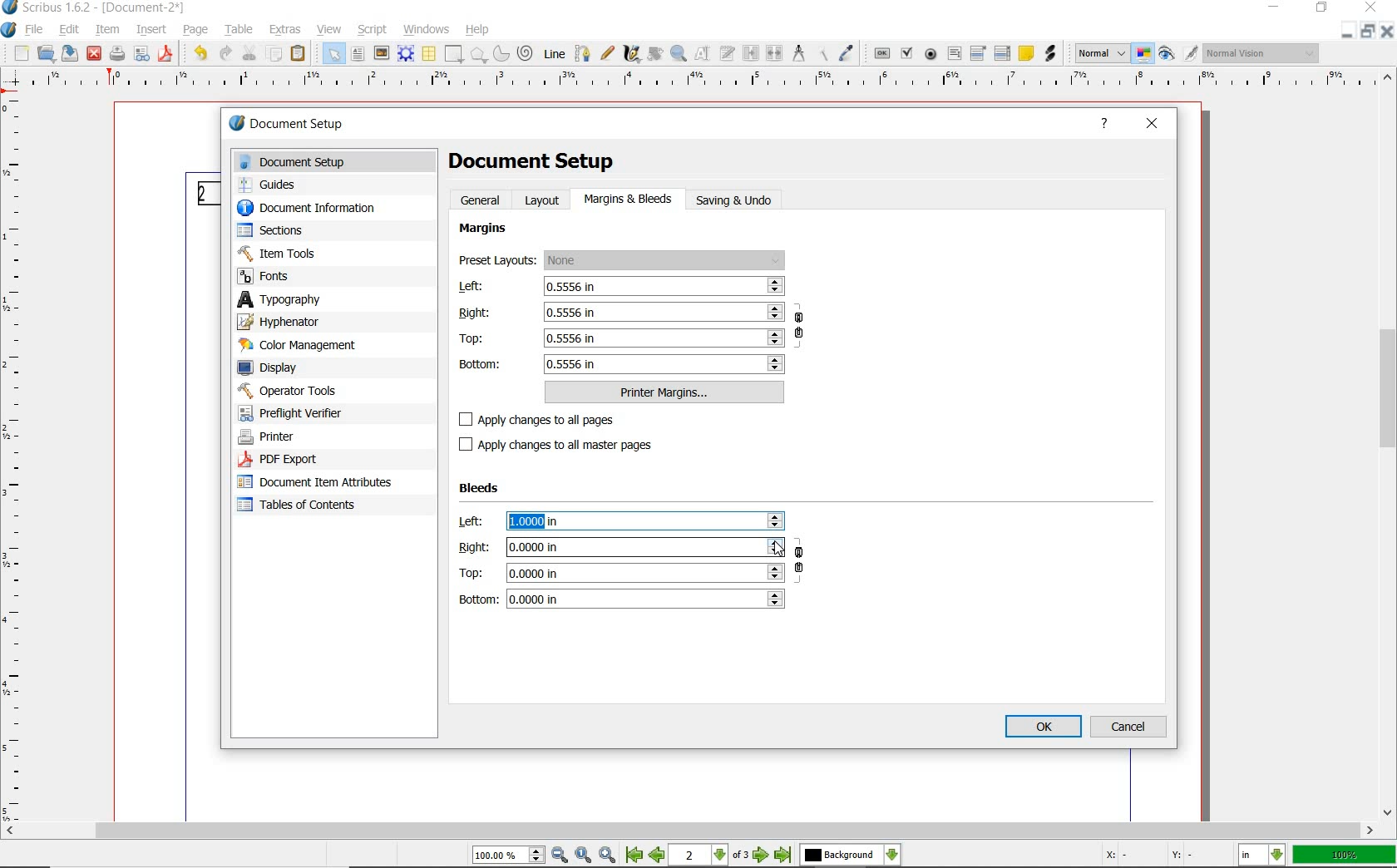 The width and height of the screenshot is (1397, 868). What do you see at coordinates (728, 53) in the screenshot?
I see `edit text with story editor` at bounding box center [728, 53].